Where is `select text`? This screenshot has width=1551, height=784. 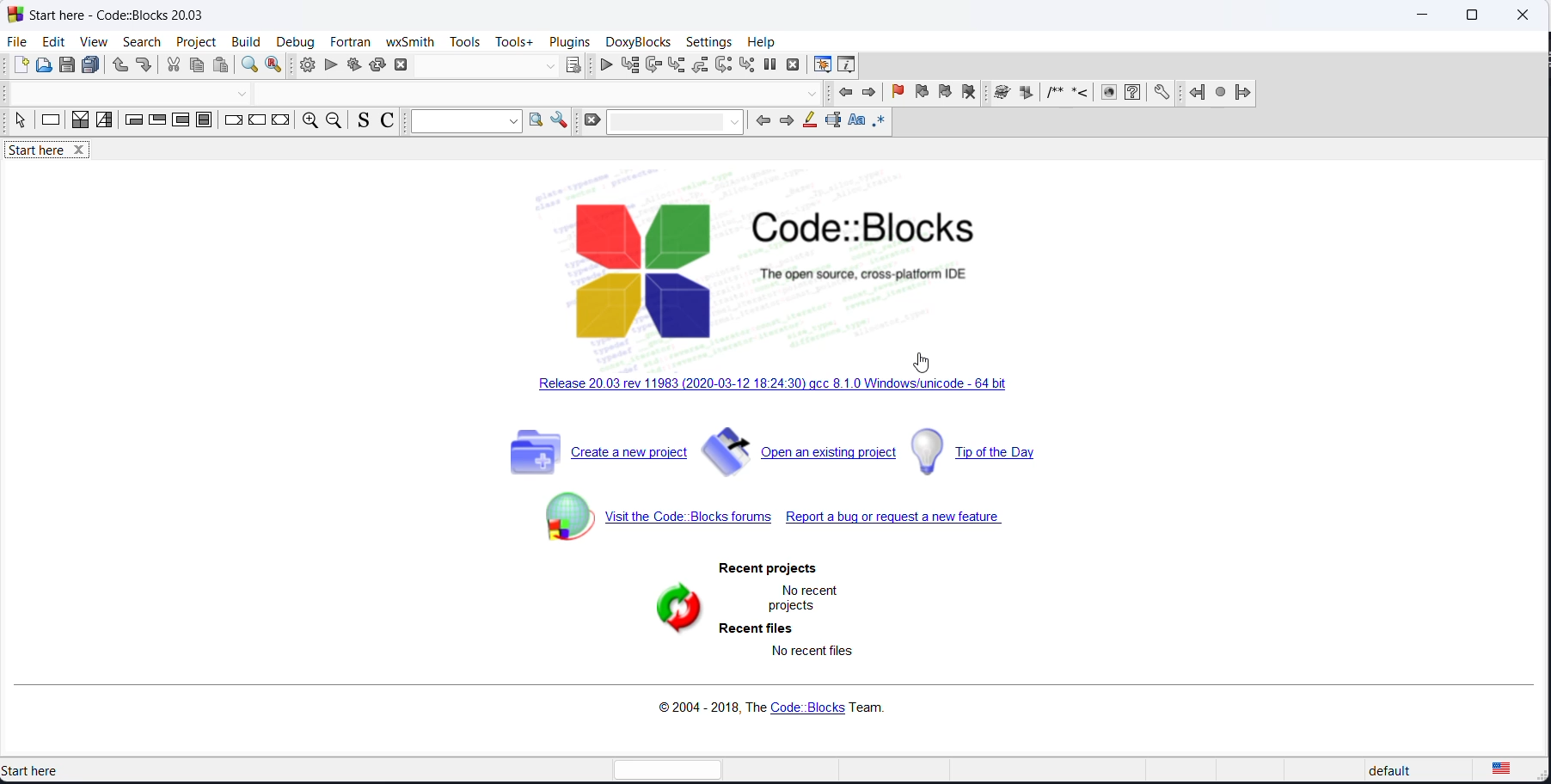
select text is located at coordinates (833, 123).